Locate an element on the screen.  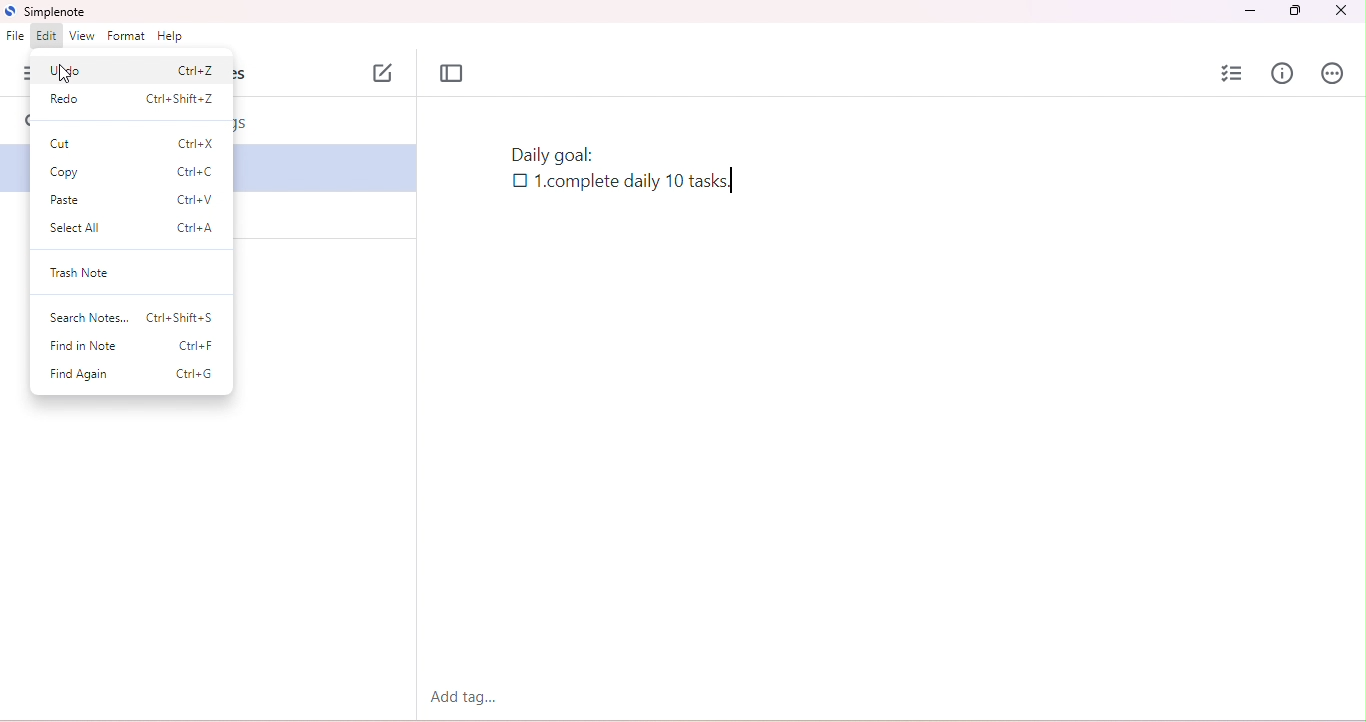
info is located at coordinates (1282, 72).